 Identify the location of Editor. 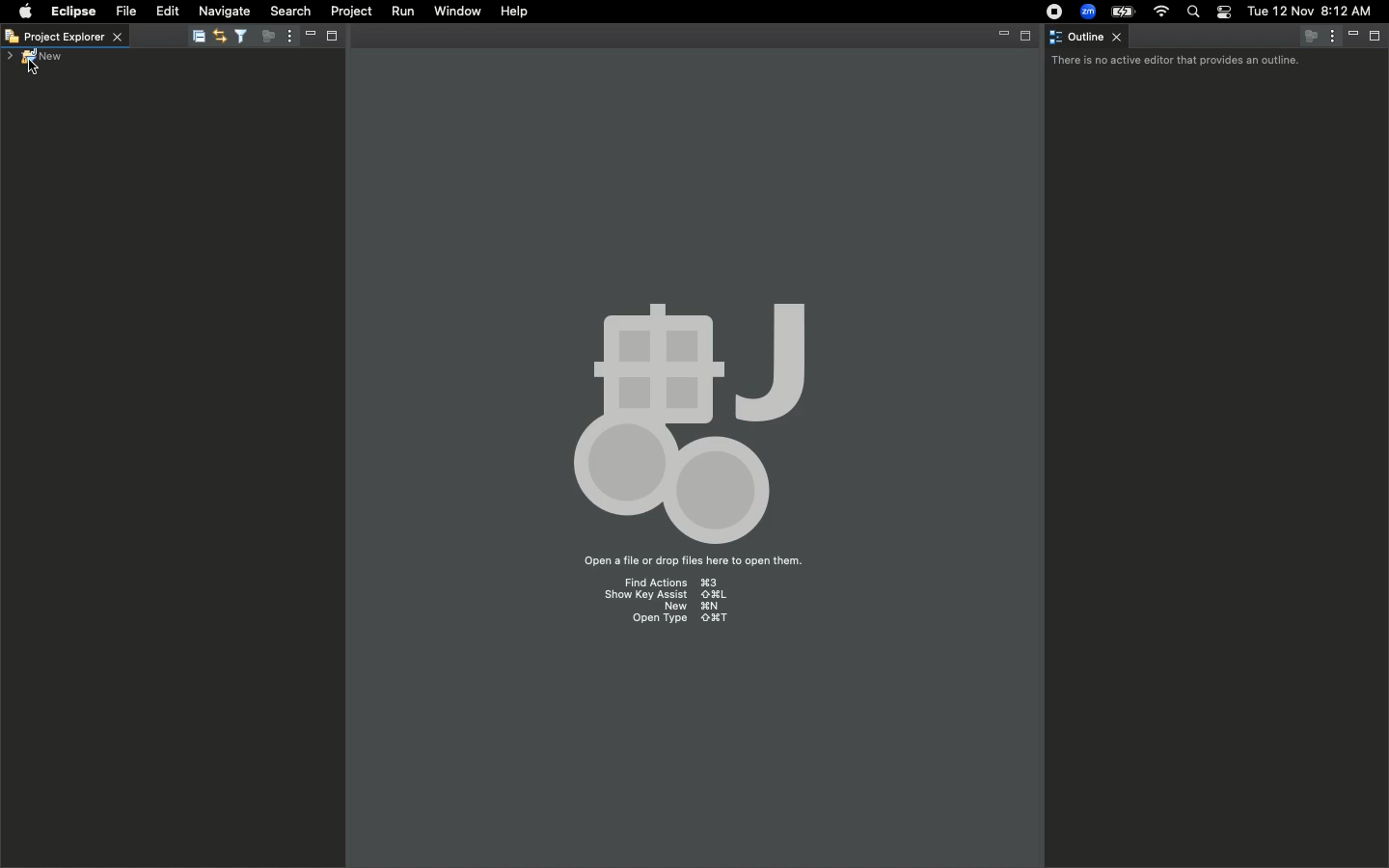
(219, 35).